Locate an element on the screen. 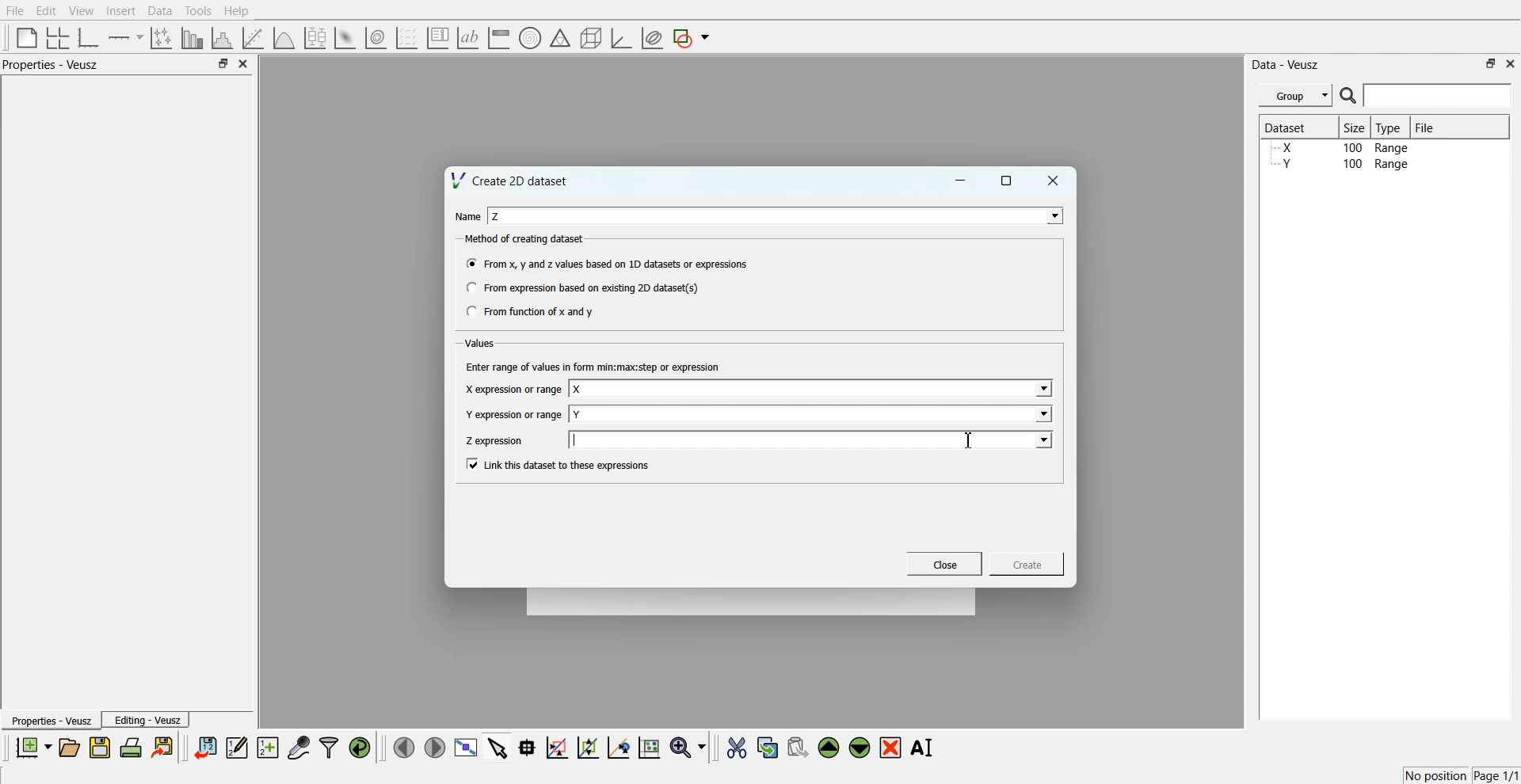 This screenshot has width=1521, height=784. Group is located at coordinates (1296, 96).